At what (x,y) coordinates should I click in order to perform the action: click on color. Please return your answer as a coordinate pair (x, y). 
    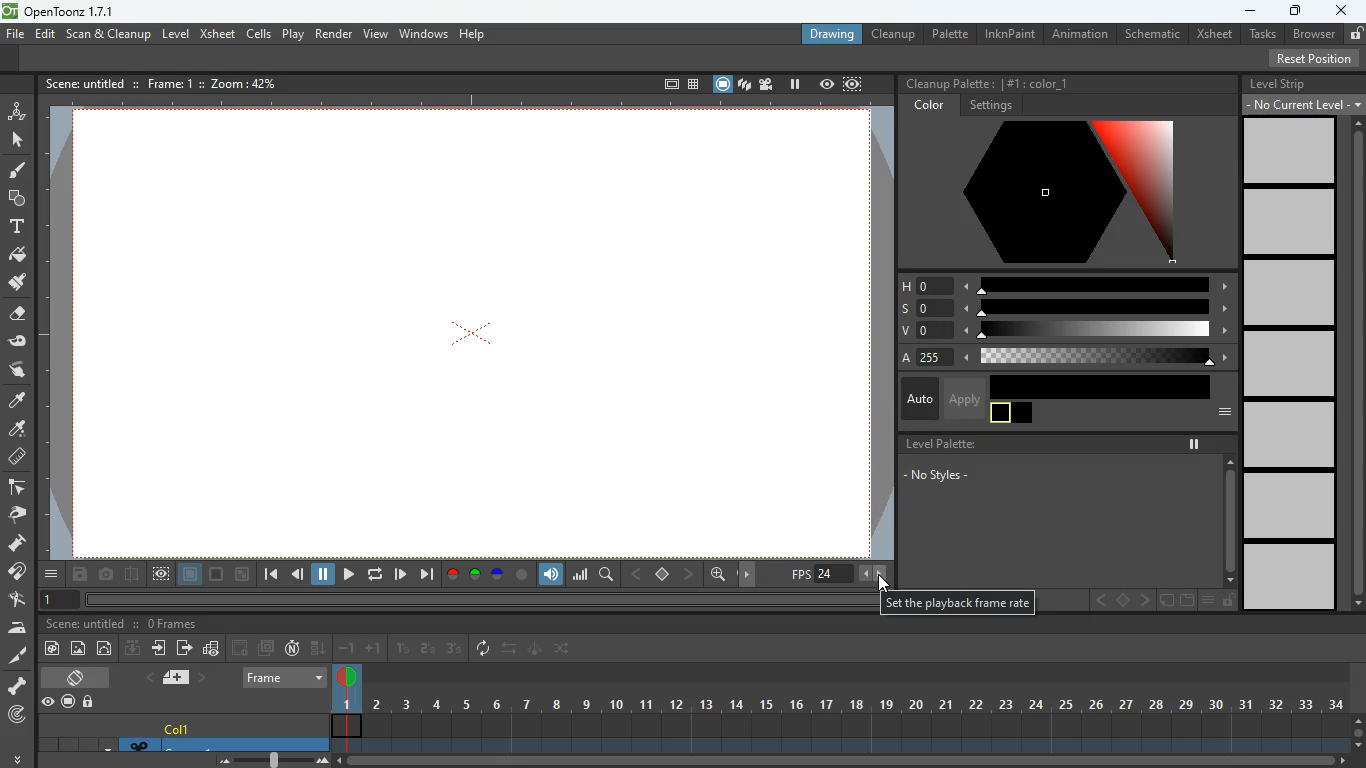
    Looking at the image, I should click on (215, 574).